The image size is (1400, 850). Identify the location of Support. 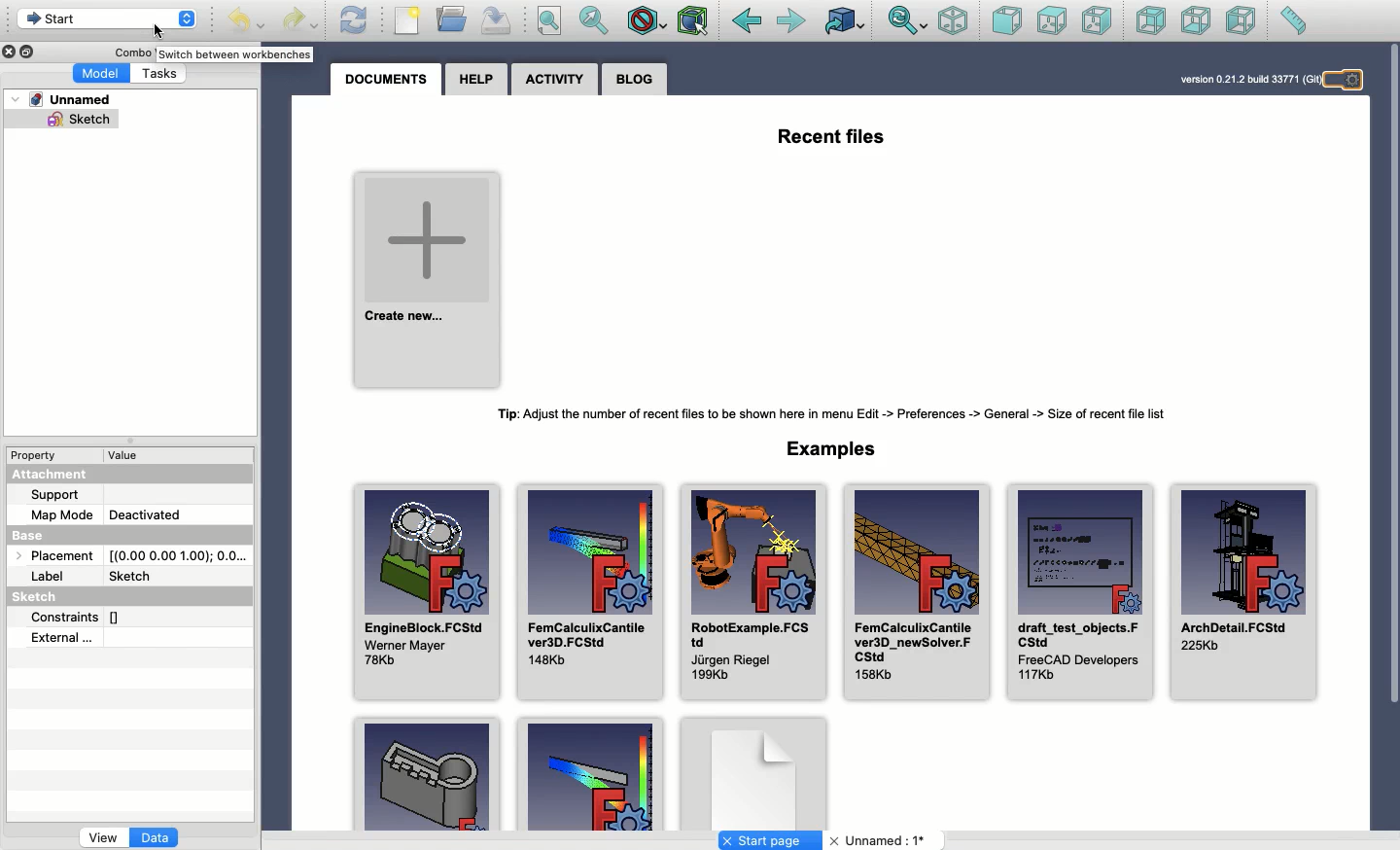
(54, 495).